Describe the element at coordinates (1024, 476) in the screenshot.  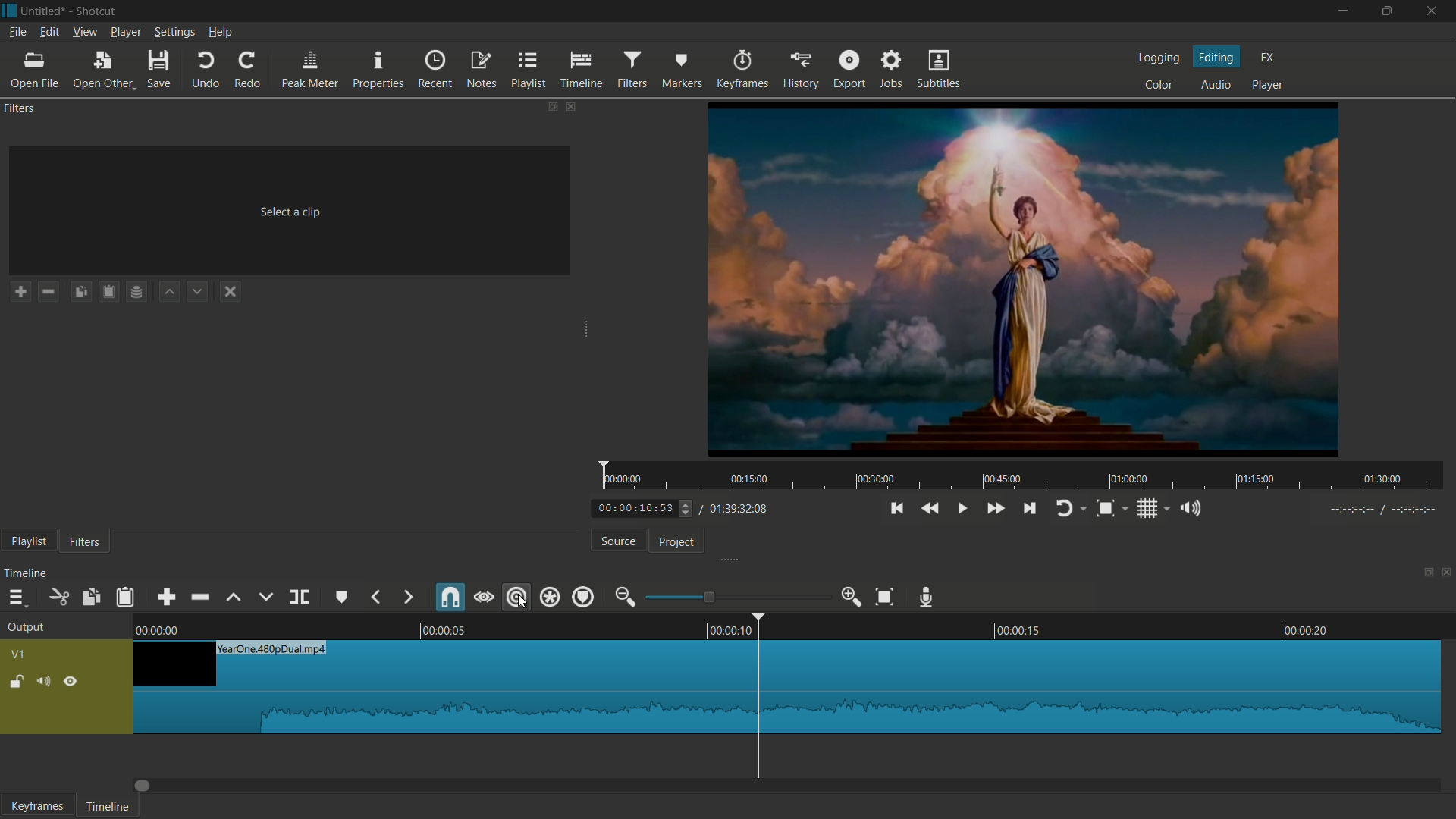
I see `time` at that location.